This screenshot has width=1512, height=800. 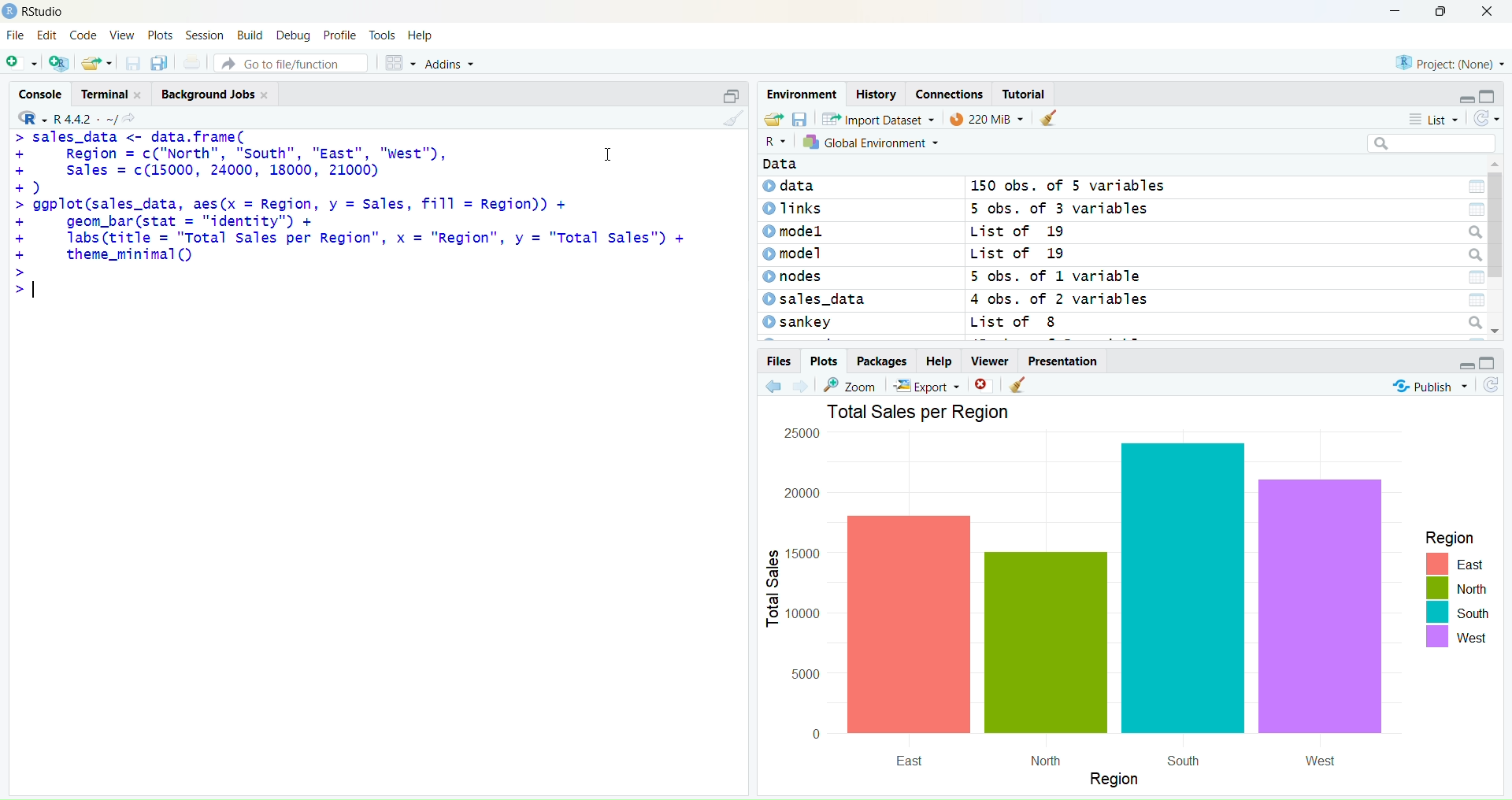 What do you see at coordinates (395, 60) in the screenshot?
I see `grid view` at bounding box center [395, 60].